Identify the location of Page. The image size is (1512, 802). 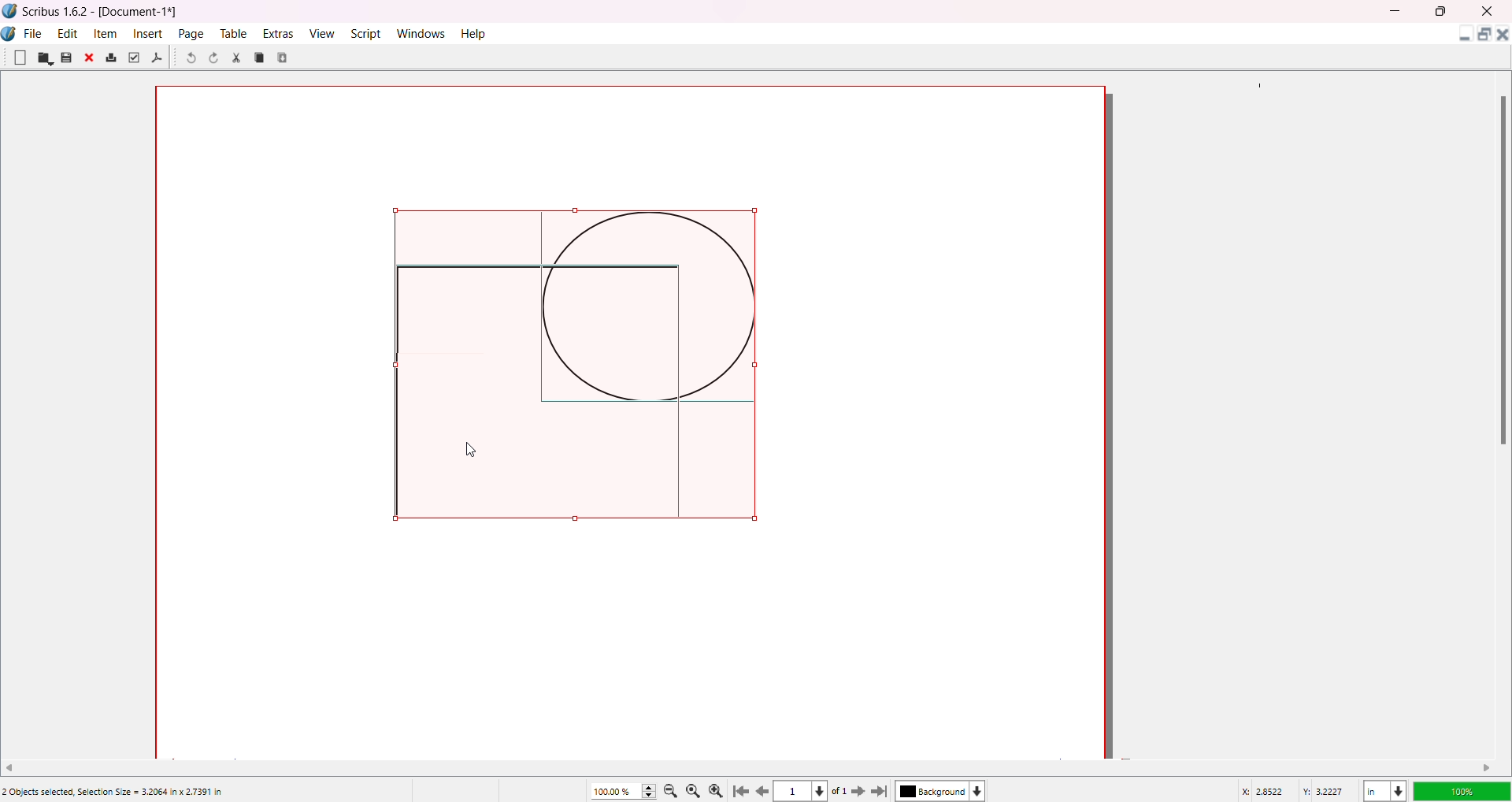
(192, 33).